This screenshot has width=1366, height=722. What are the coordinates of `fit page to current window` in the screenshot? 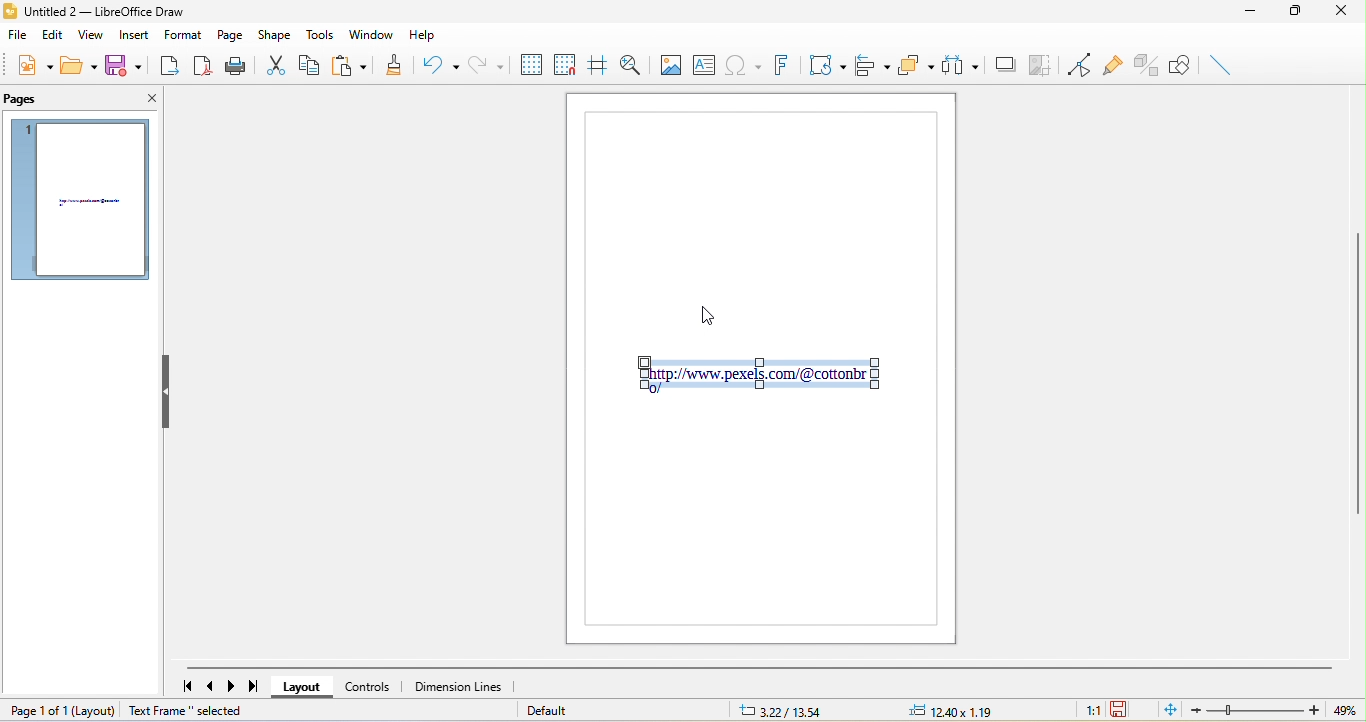 It's located at (1171, 709).